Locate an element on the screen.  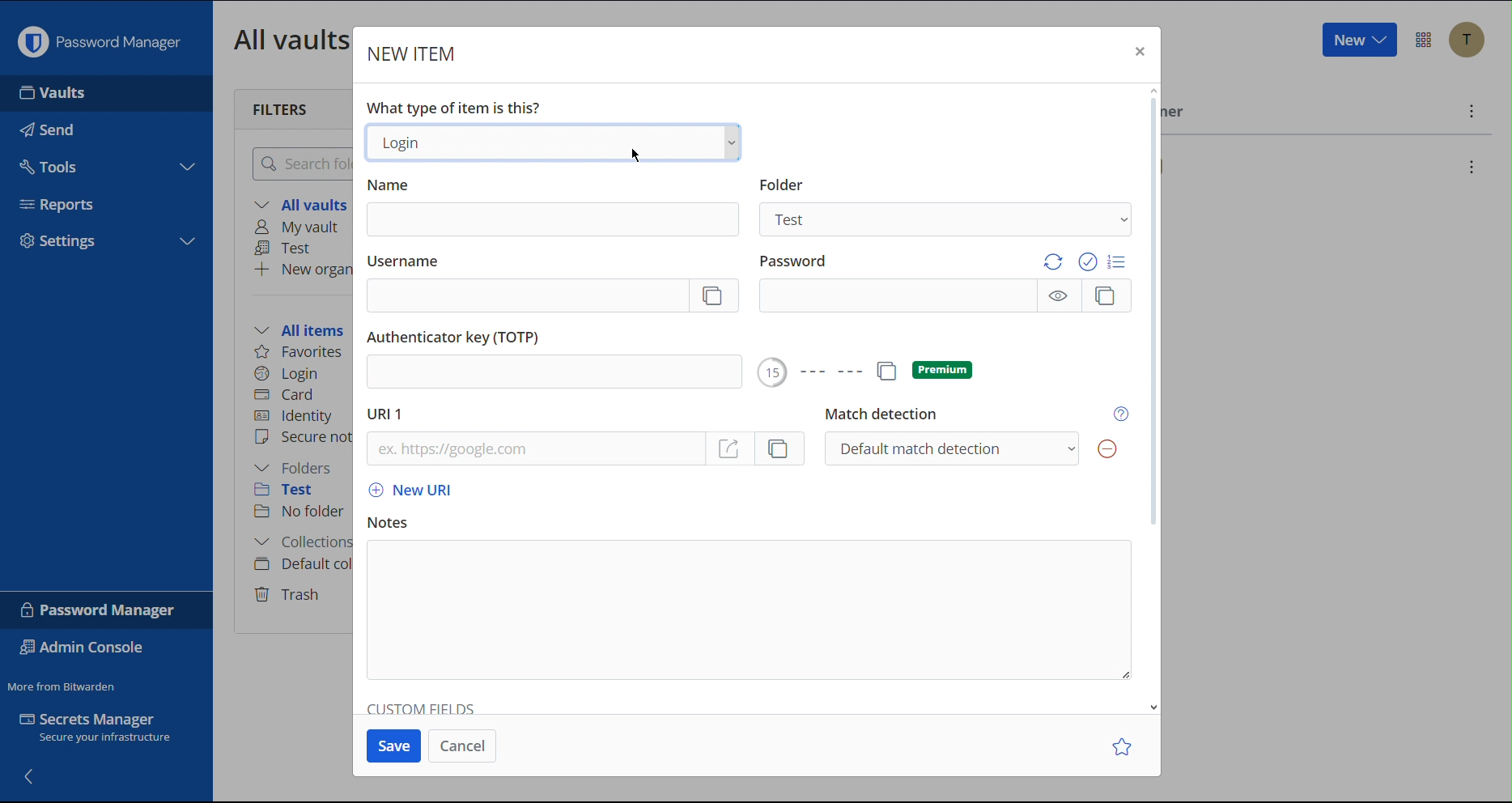
Favorites is located at coordinates (300, 352).